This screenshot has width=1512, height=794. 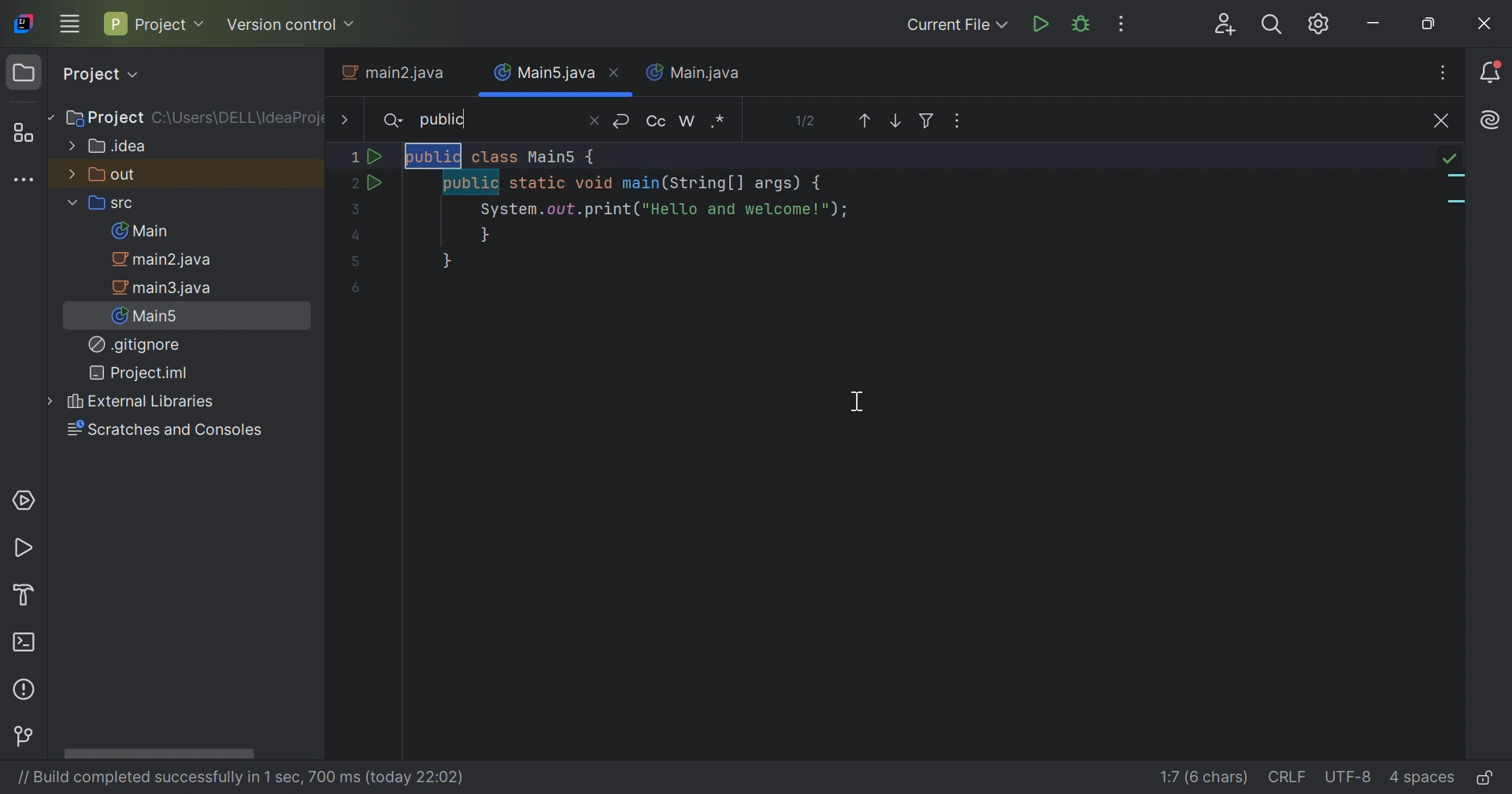 What do you see at coordinates (150, 315) in the screenshot?
I see `Main5` at bounding box center [150, 315].